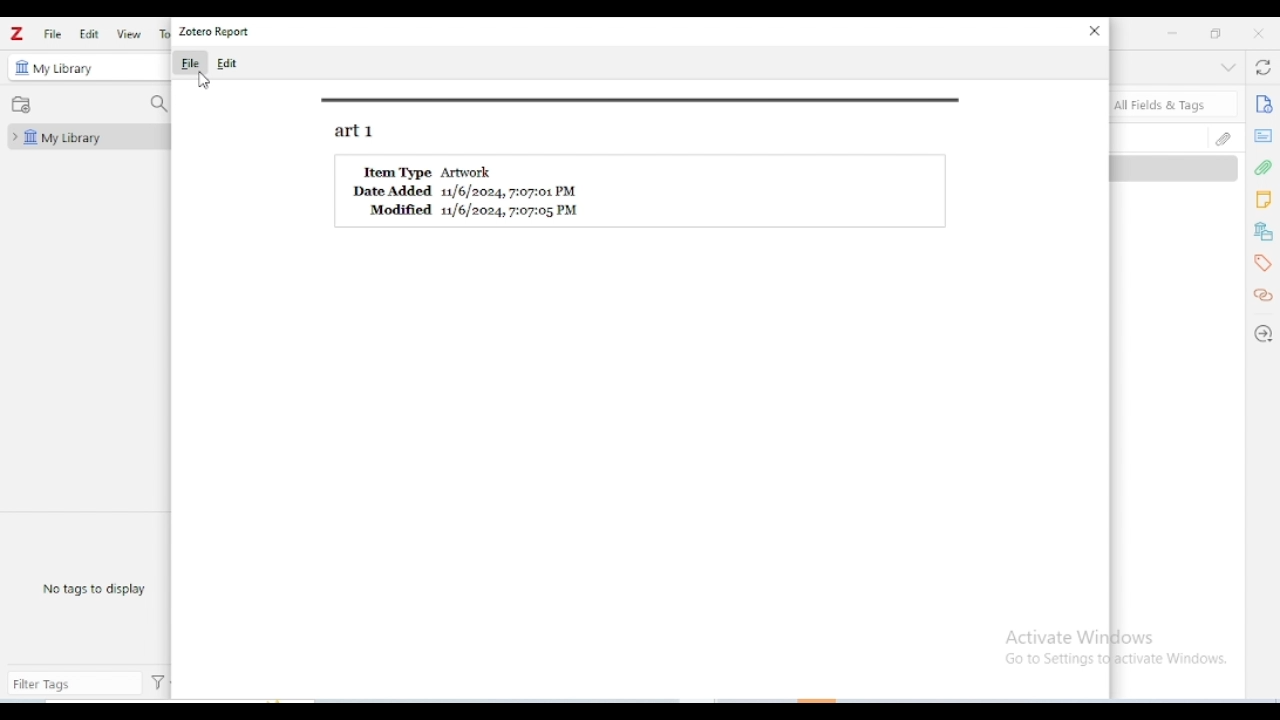  What do you see at coordinates (1080, 637) in the screenshot?
I see `Activate Windows` at bounding box center [1080, 637].